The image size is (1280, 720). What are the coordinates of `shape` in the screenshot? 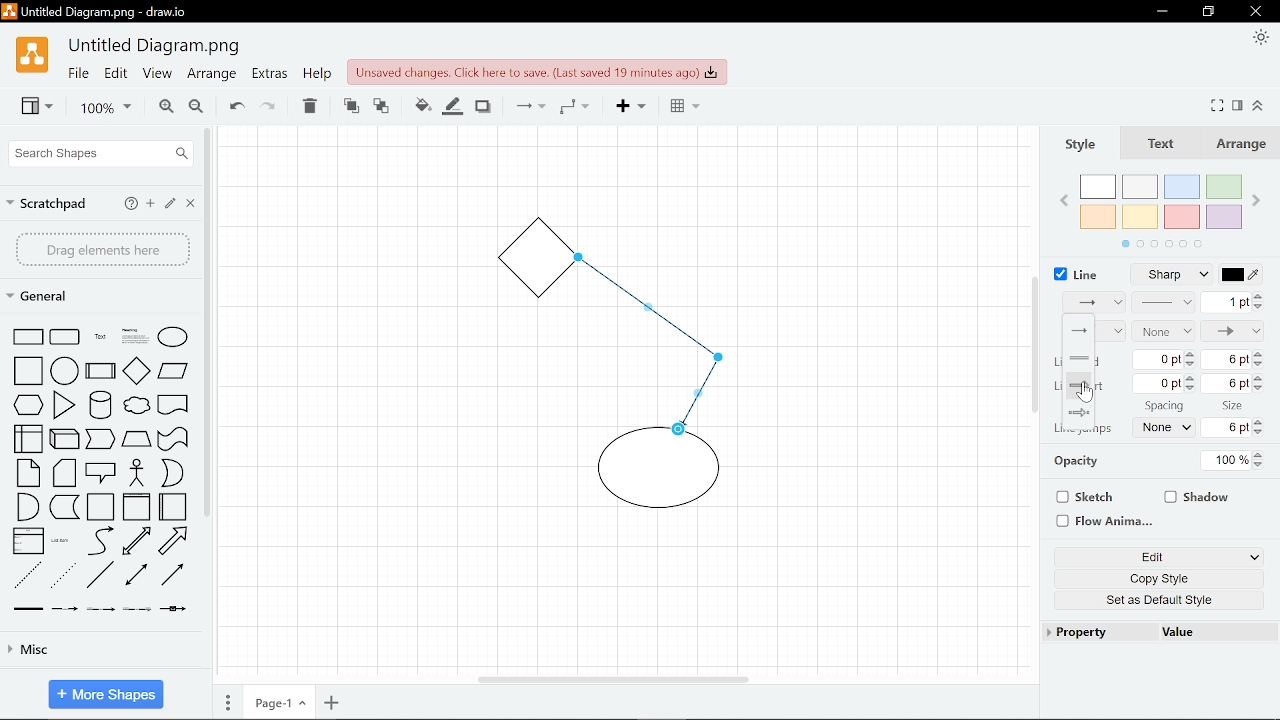 It's located at (29, 406).